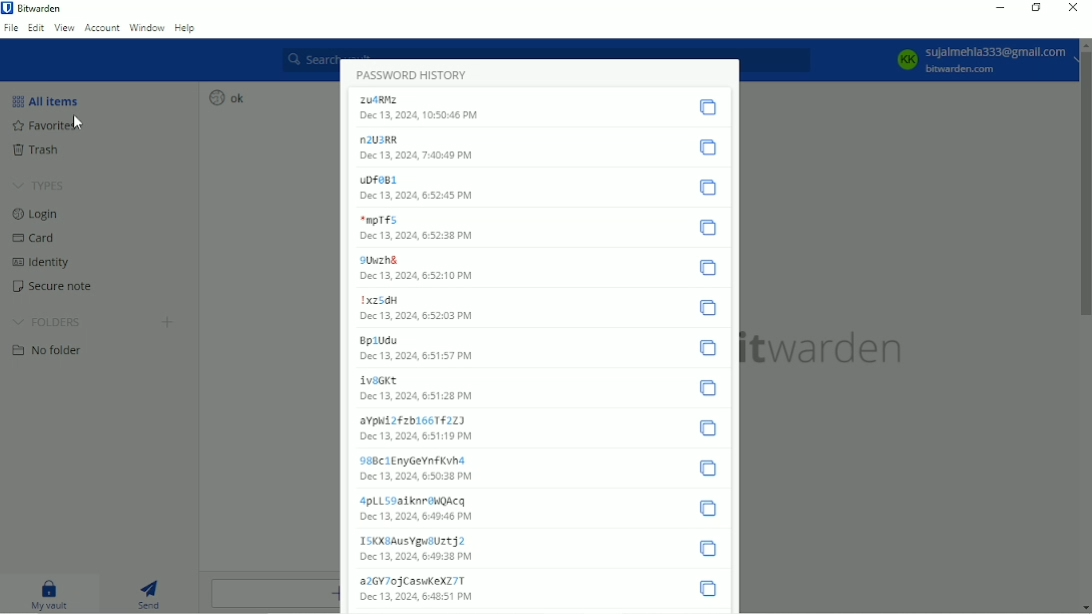 This screenshot has height=614, width=1092. I want to click on 98Bc1EnyGeYnfKvh4, so click(413, 461).